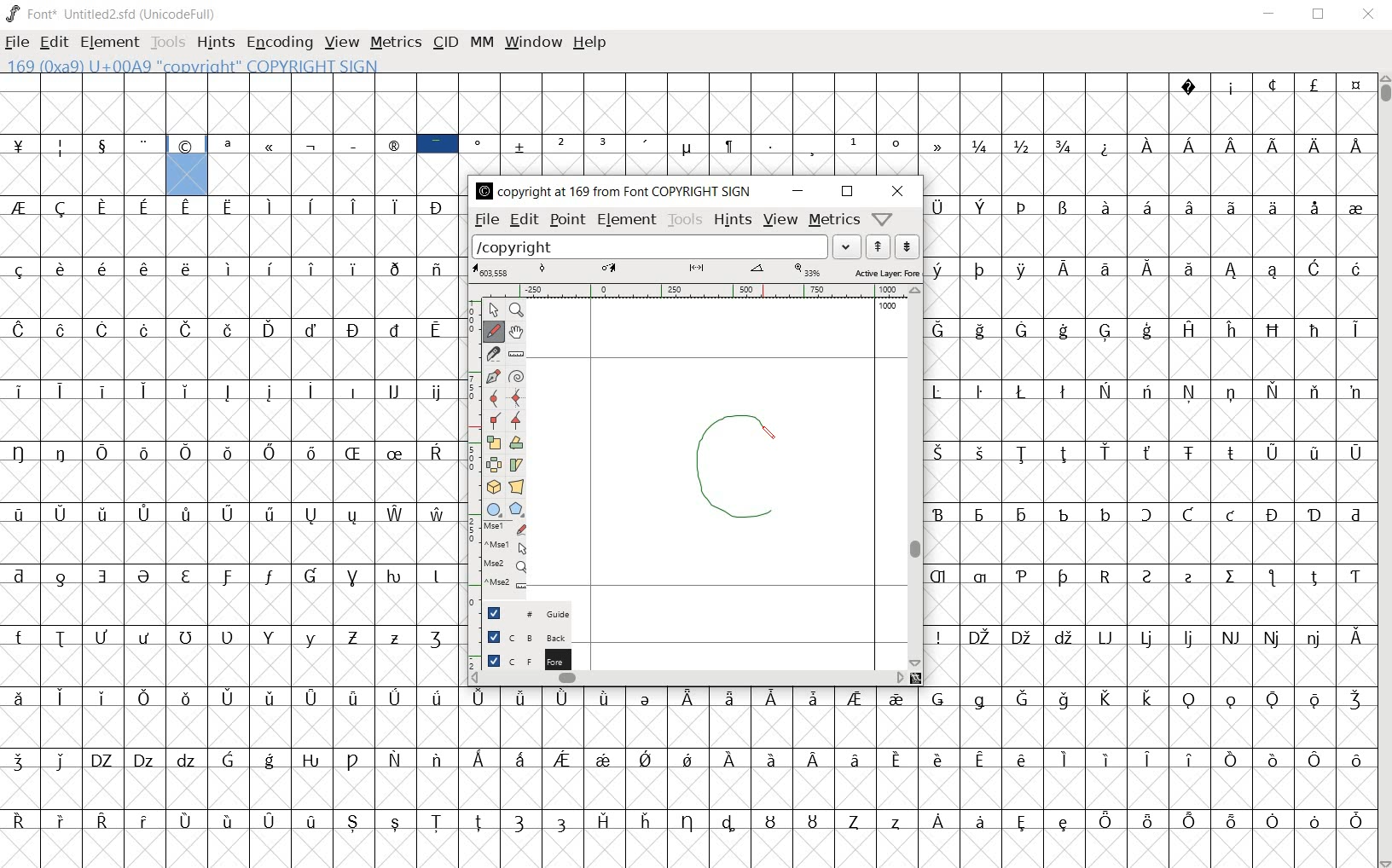  I want to click on Rotate the selection, so click(517, 444).